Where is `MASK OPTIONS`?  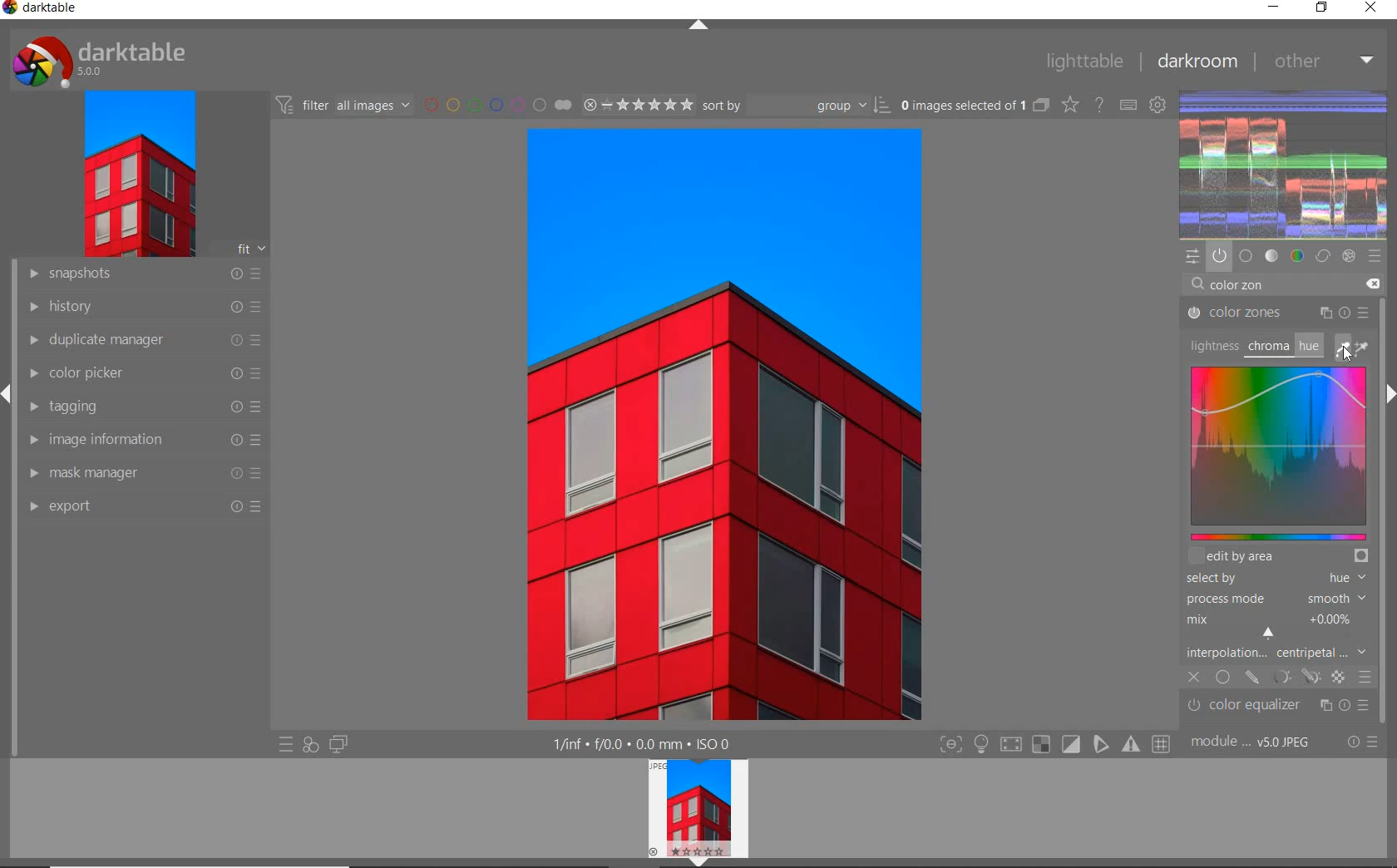 MASK OPTIONS is located at coordinates (1294, 677).